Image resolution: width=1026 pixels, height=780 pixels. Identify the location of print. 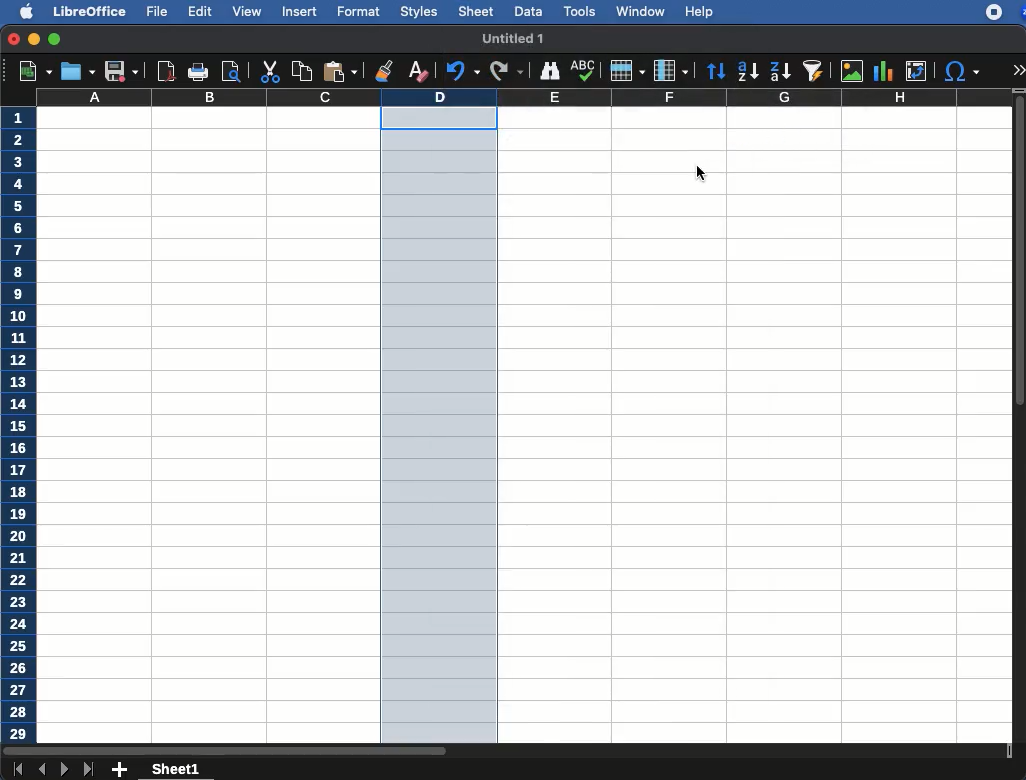
(199, 71).